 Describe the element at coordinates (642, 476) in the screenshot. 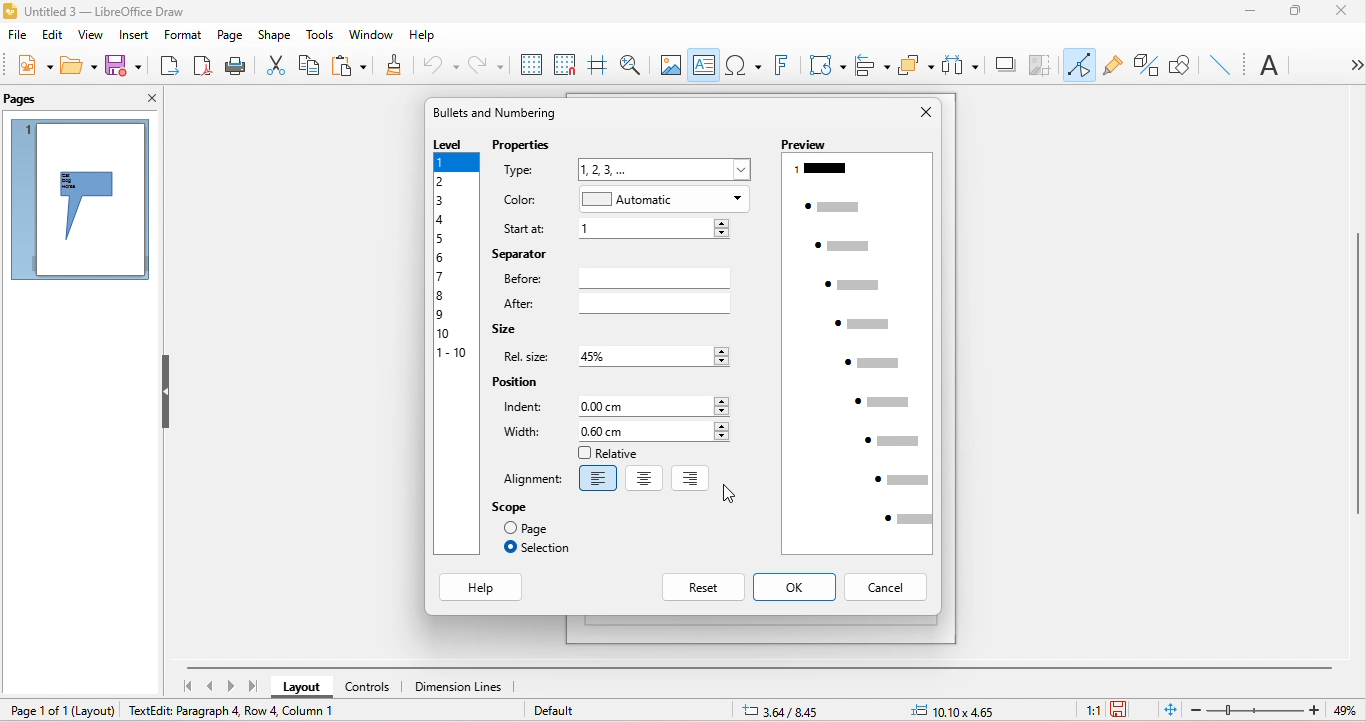

I see `center align` at that location.